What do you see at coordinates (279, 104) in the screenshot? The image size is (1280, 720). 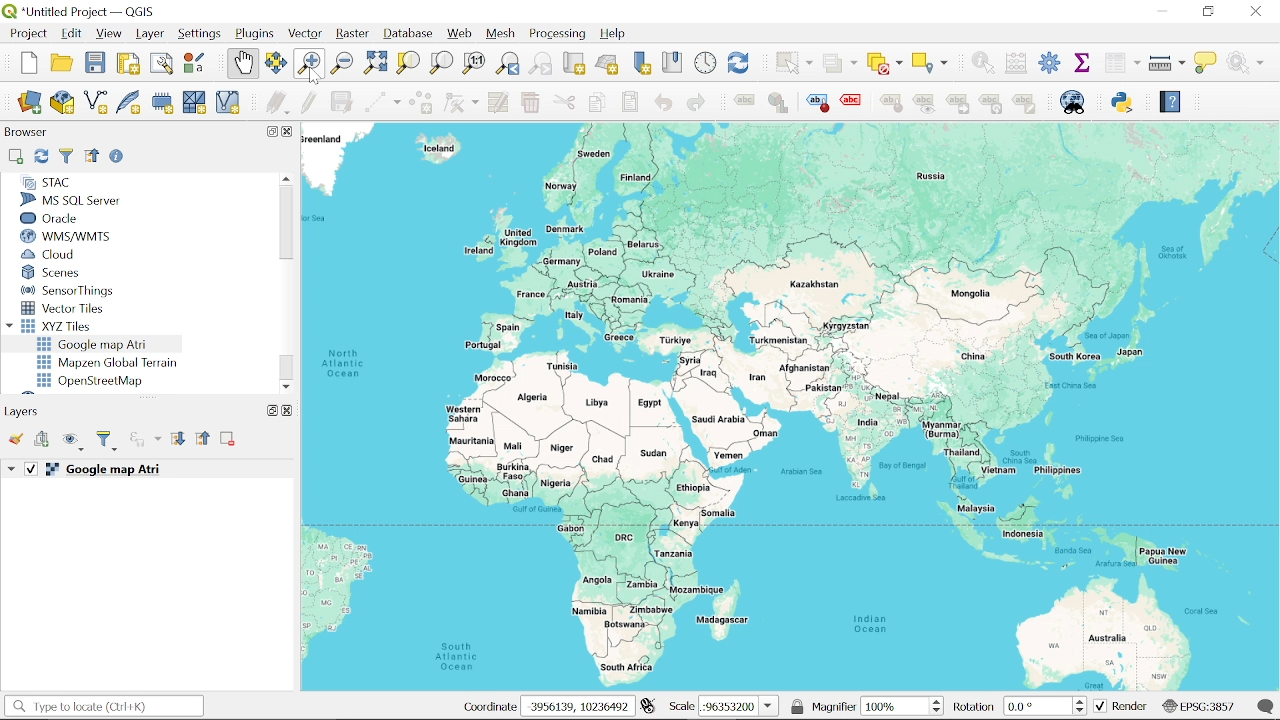 I see `Current edits` at bounding box center [279, 104].